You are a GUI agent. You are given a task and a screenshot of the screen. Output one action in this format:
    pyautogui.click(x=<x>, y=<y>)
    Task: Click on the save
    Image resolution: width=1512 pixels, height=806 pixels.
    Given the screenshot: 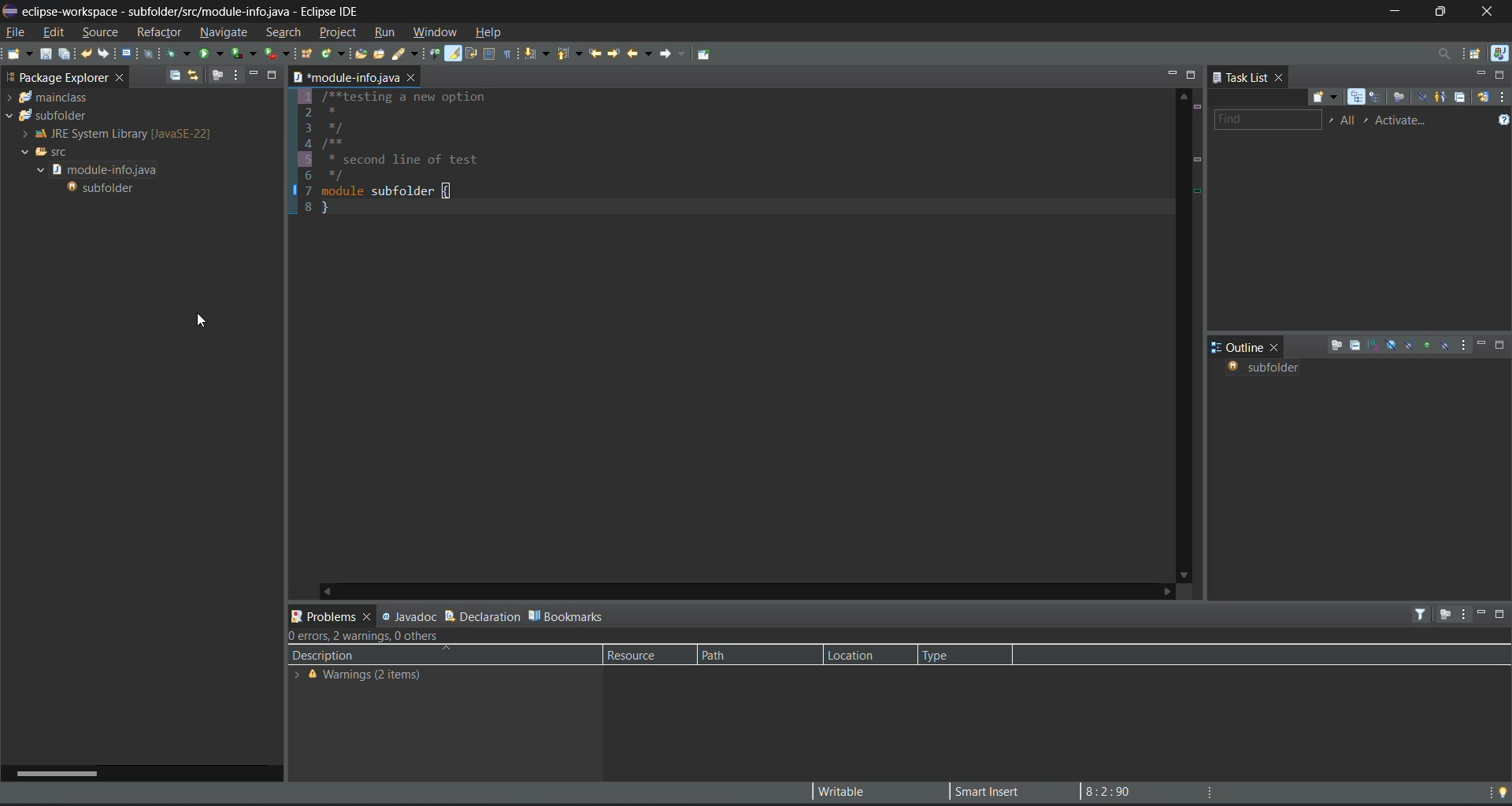 What is the action you would take?
    pyautogui.click(x=46, y=54)
    